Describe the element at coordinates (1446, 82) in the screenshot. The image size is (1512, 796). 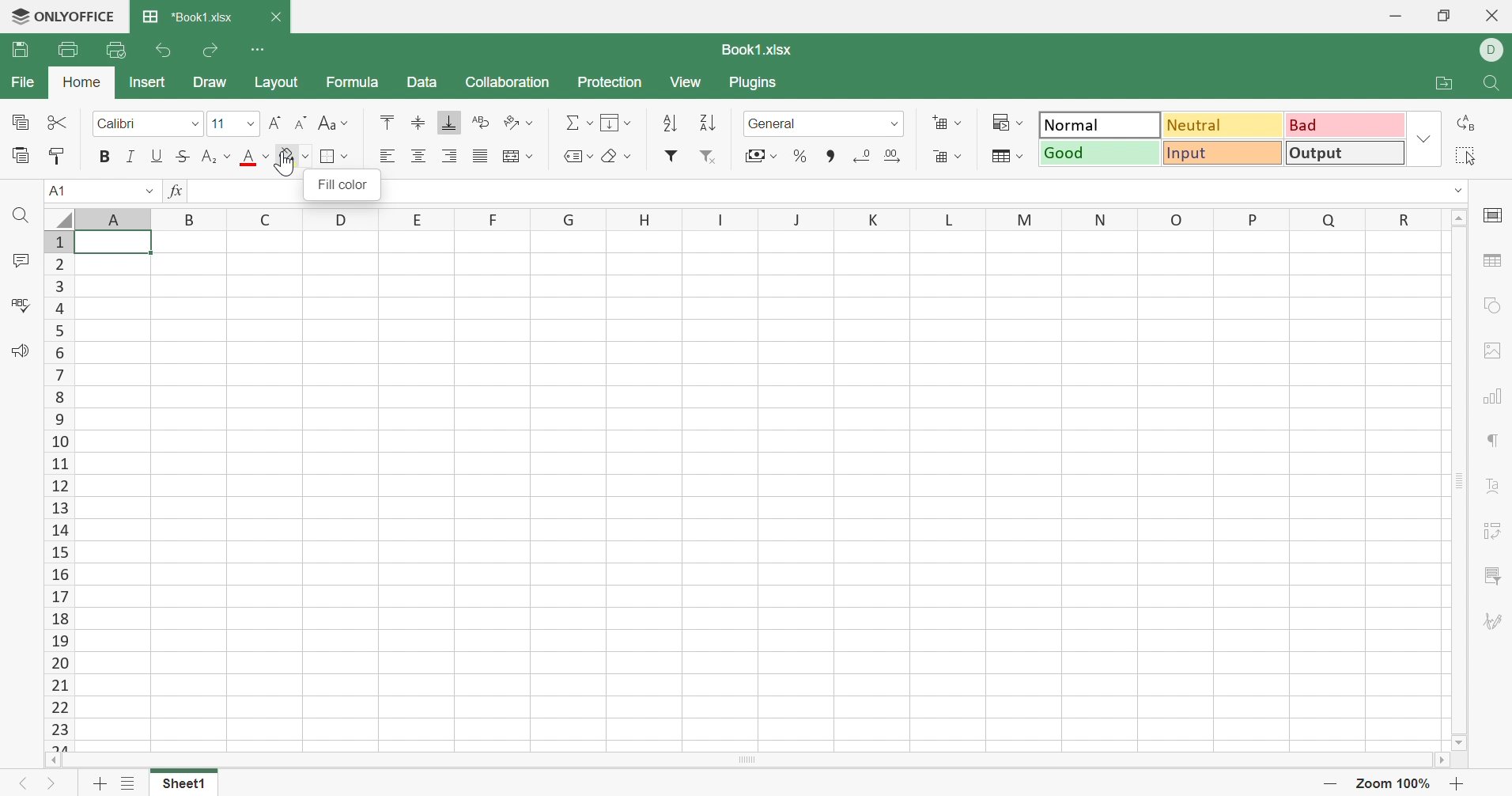
I see `Open file location` at that location.